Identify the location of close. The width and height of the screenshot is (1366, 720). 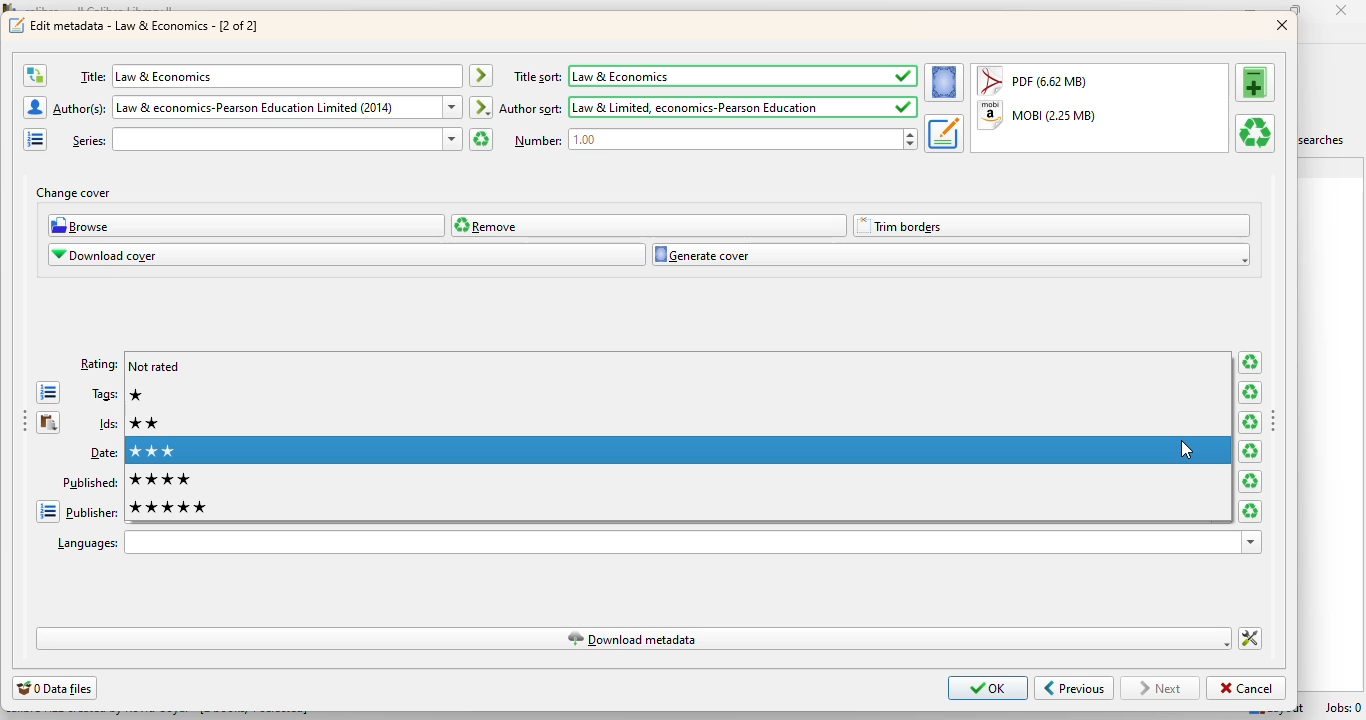
(1346, 11).